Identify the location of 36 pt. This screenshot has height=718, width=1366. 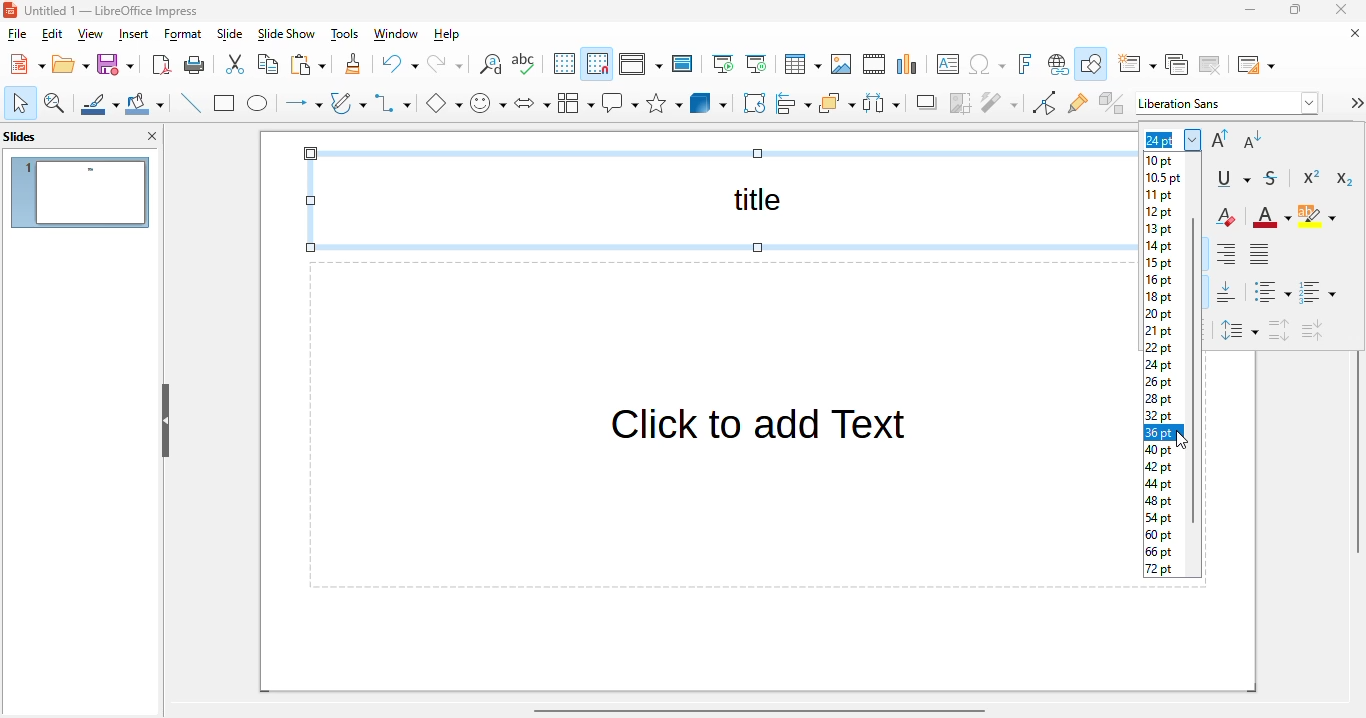
(1159, 433).